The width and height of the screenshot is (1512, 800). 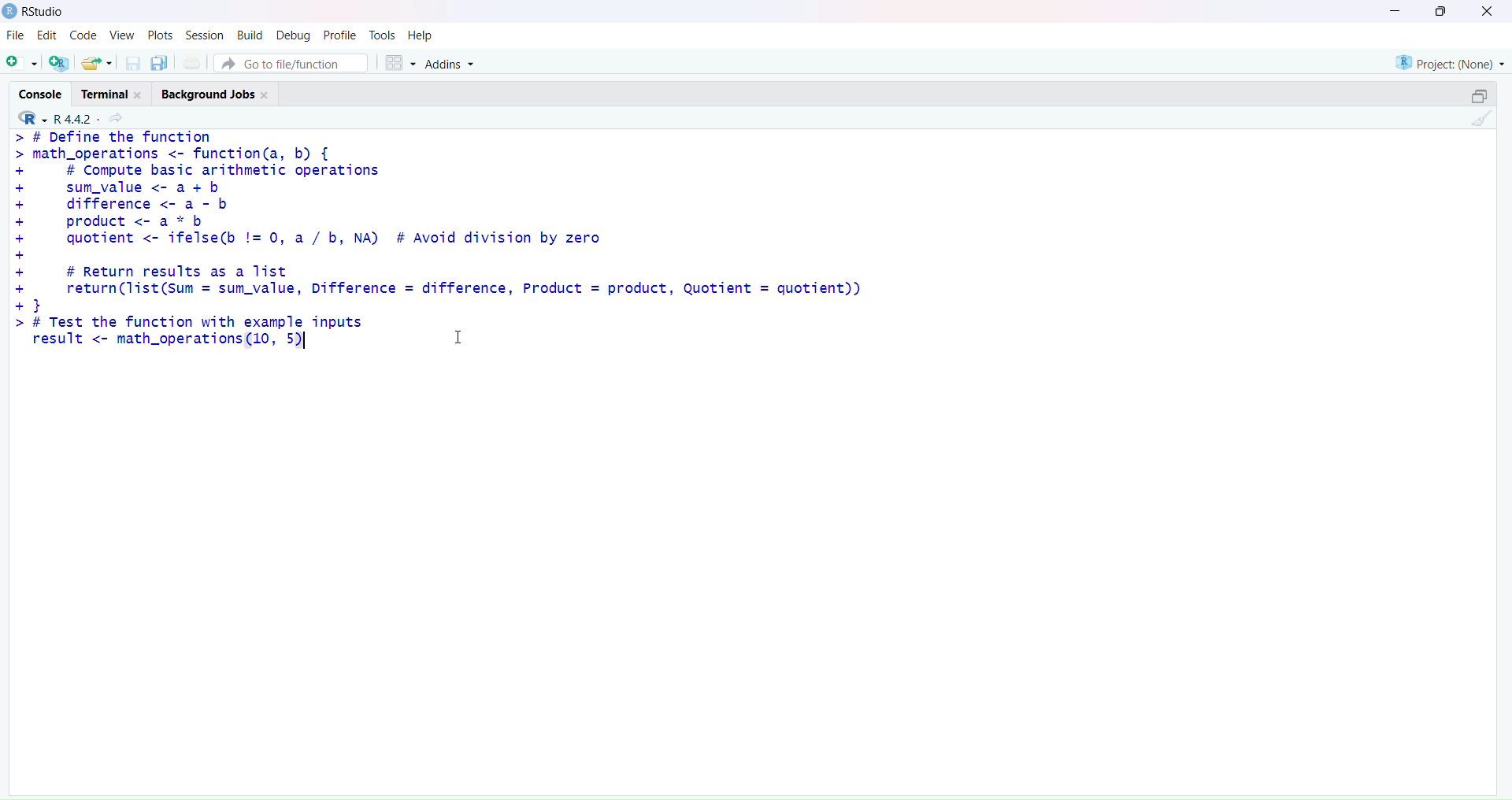 I want to click on Go to file/function, so click(x=292, y=62).